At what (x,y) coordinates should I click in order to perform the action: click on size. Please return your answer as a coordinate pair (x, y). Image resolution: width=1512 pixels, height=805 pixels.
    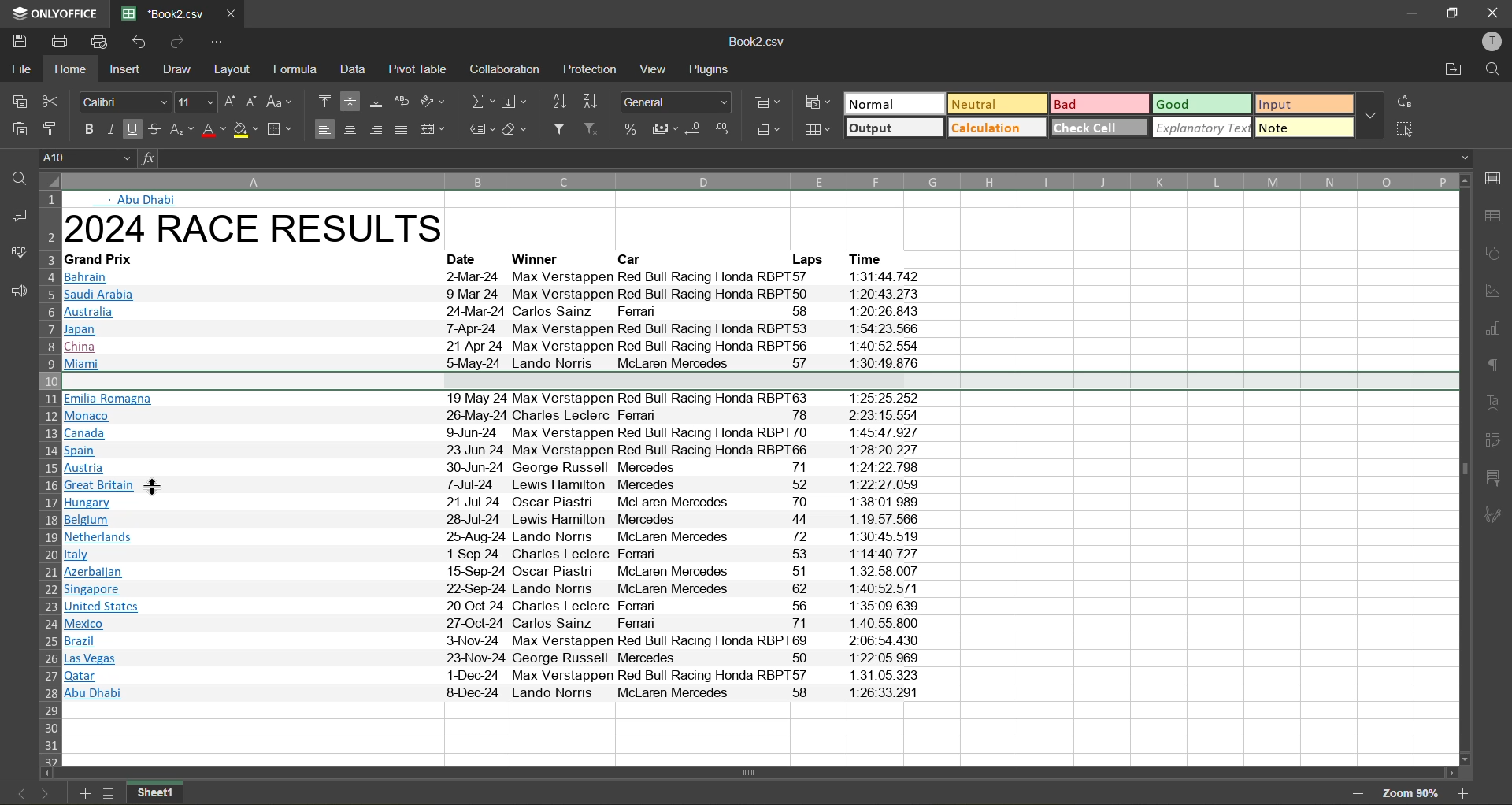
    Looking at the image, I should click on (195, 102).